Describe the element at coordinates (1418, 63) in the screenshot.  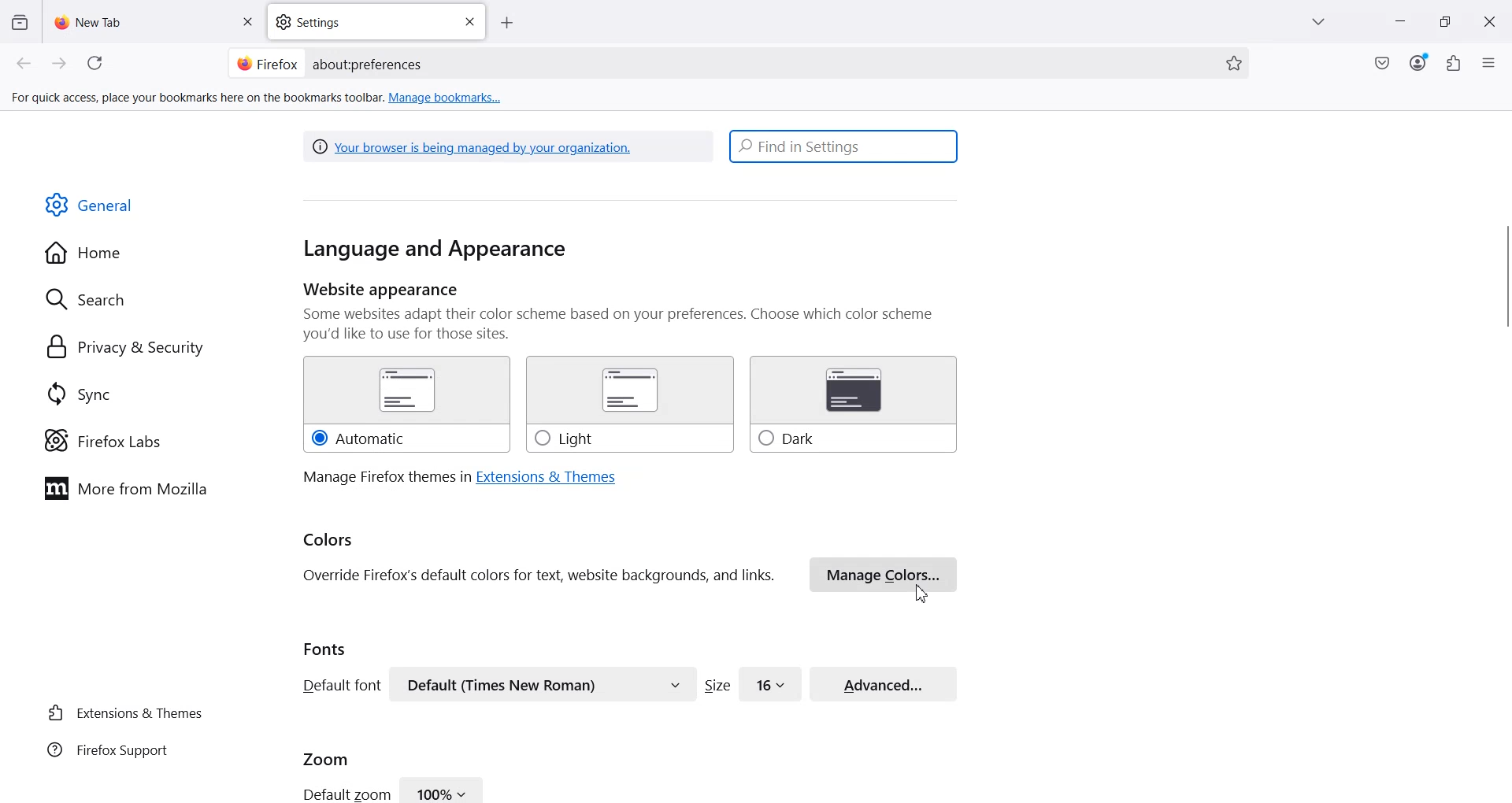
I see `Account` at that location.